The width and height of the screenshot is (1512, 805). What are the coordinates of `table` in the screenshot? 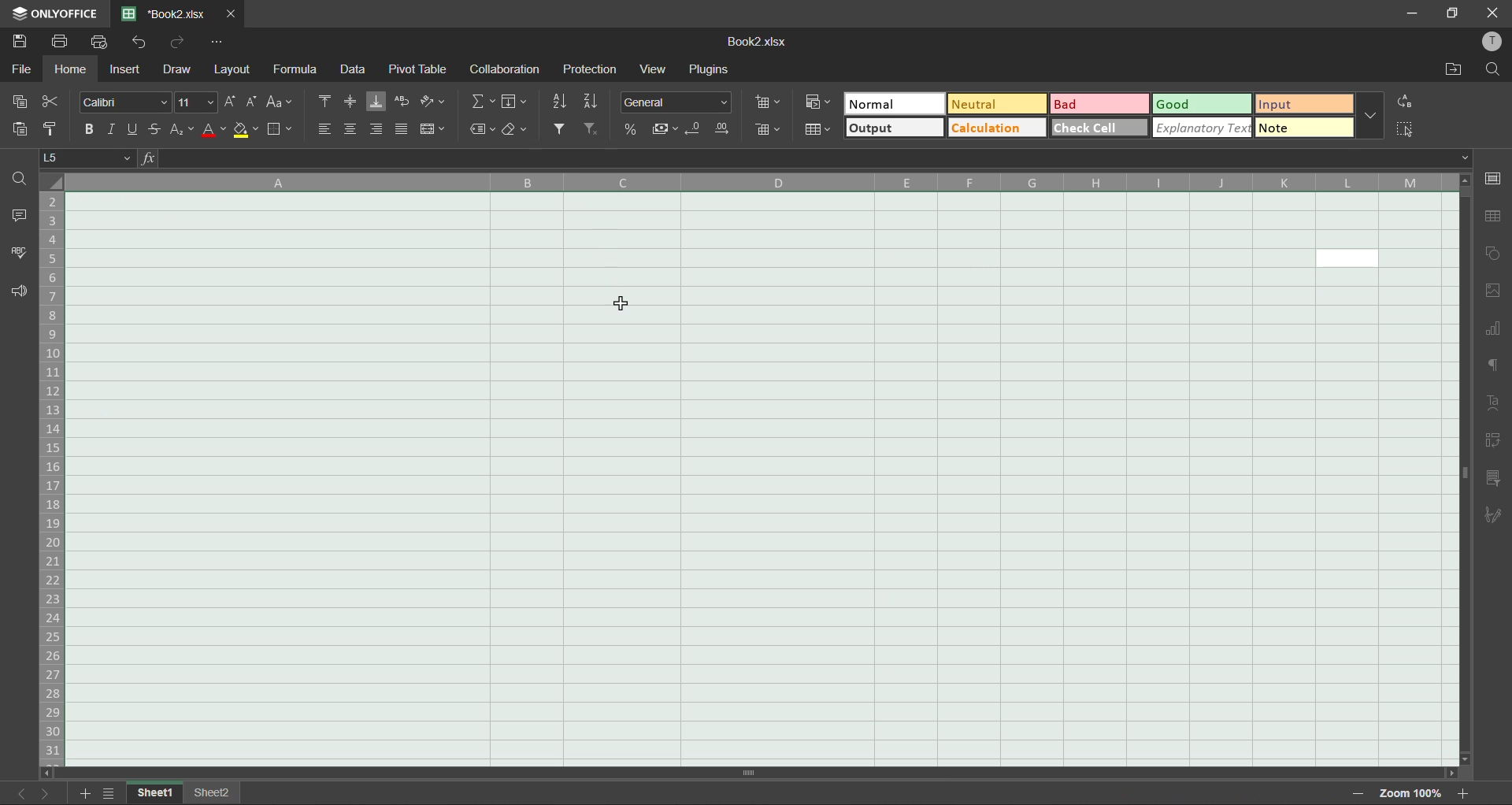 It's located at (1492, 217).